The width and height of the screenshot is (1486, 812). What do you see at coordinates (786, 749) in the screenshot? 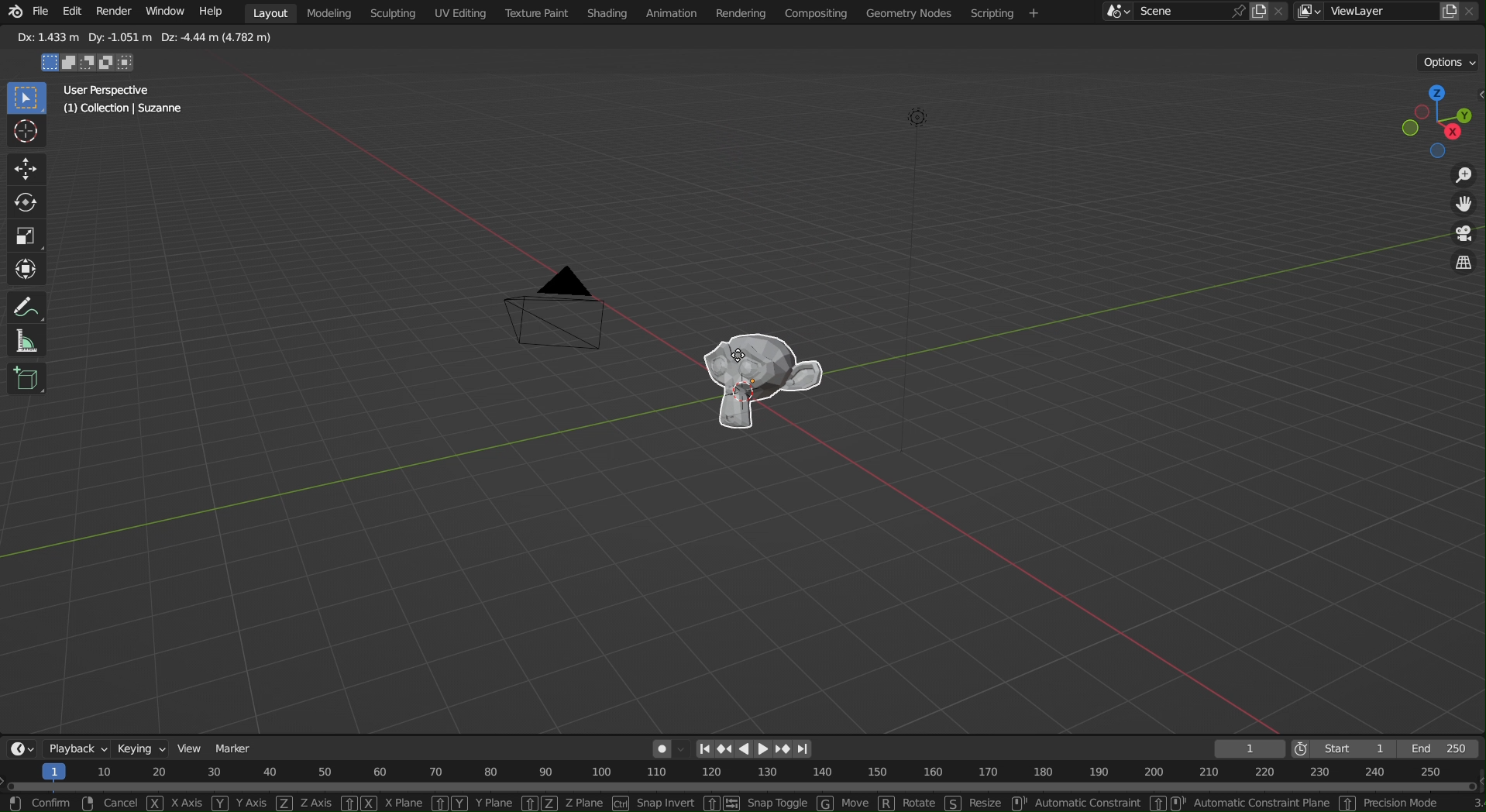
I see `next` at bounding box center [786, 749].